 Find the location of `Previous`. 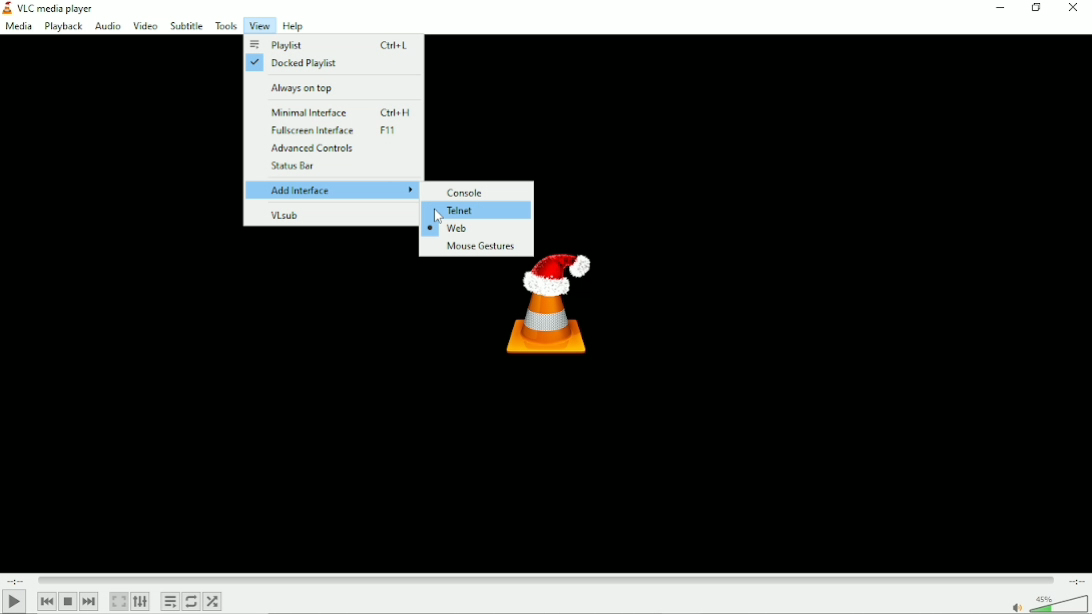

Previous is located at coordinates (45, 601).